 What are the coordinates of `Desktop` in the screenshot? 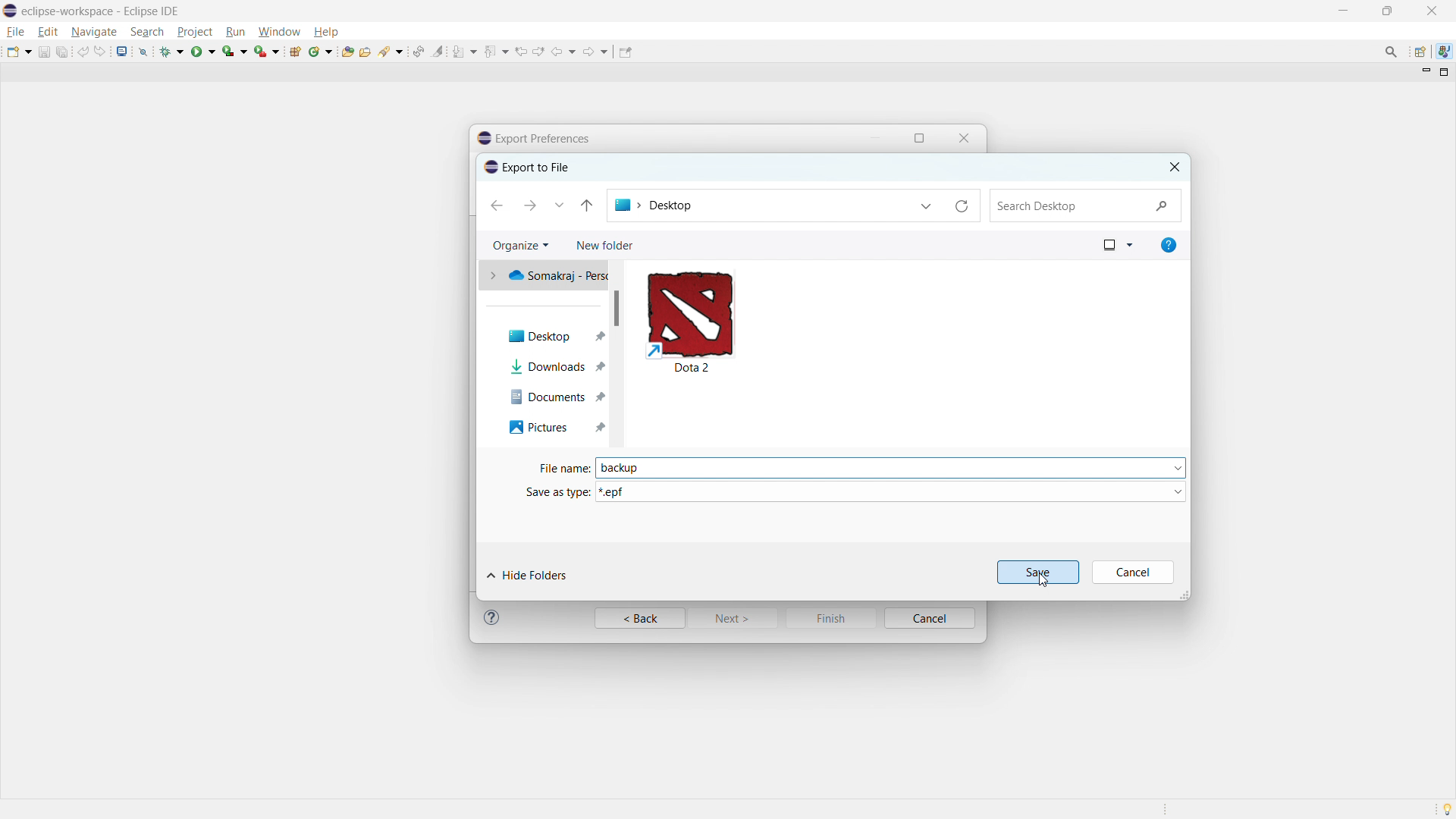 It's located at (548, 328).